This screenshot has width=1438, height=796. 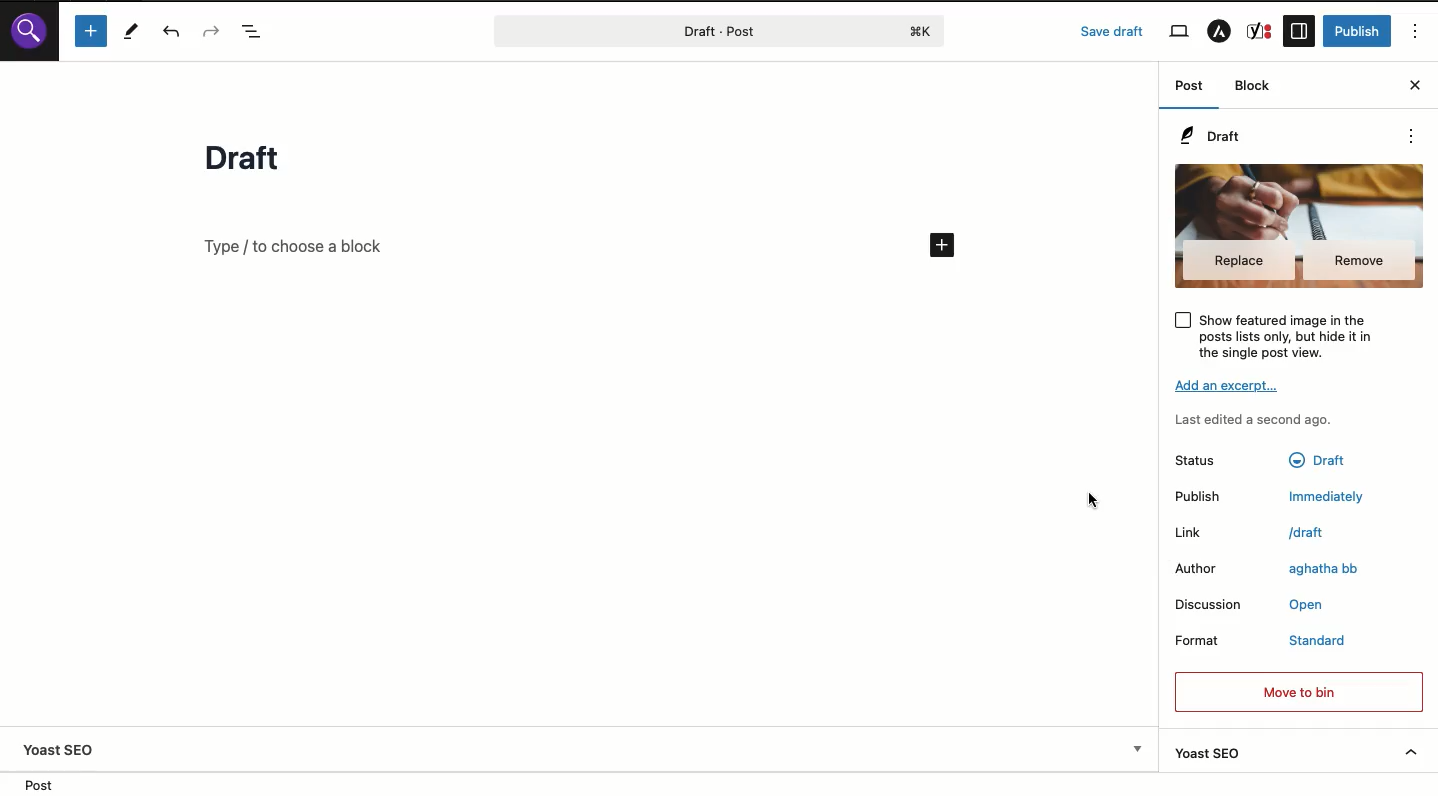 I want to click on text, so click(x=1303, y=533).